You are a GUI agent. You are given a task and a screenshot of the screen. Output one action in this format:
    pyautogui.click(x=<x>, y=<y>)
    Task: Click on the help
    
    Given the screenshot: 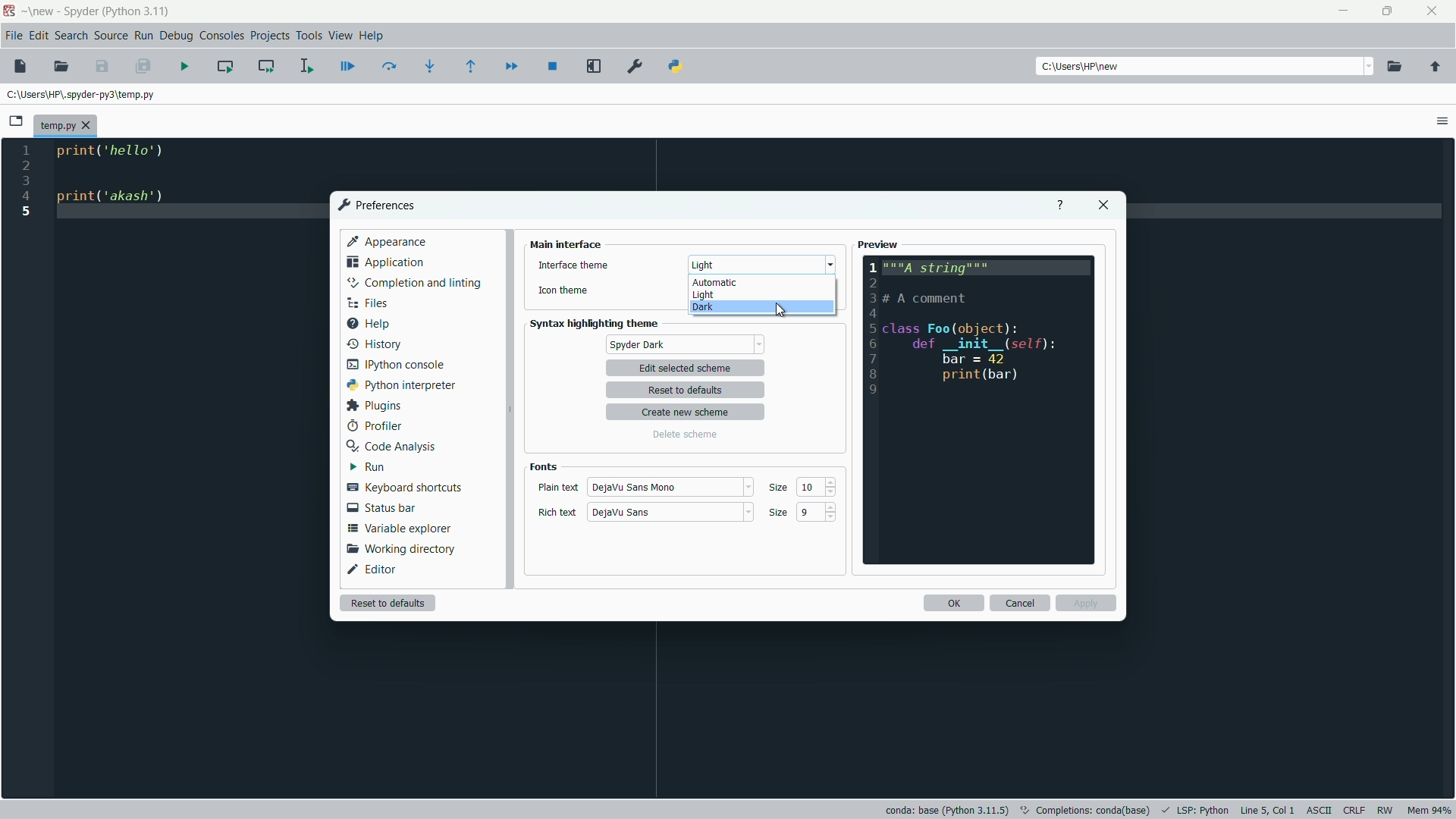 What is the action you would take?
    pyautogui.click(x=1059, y=206)
    